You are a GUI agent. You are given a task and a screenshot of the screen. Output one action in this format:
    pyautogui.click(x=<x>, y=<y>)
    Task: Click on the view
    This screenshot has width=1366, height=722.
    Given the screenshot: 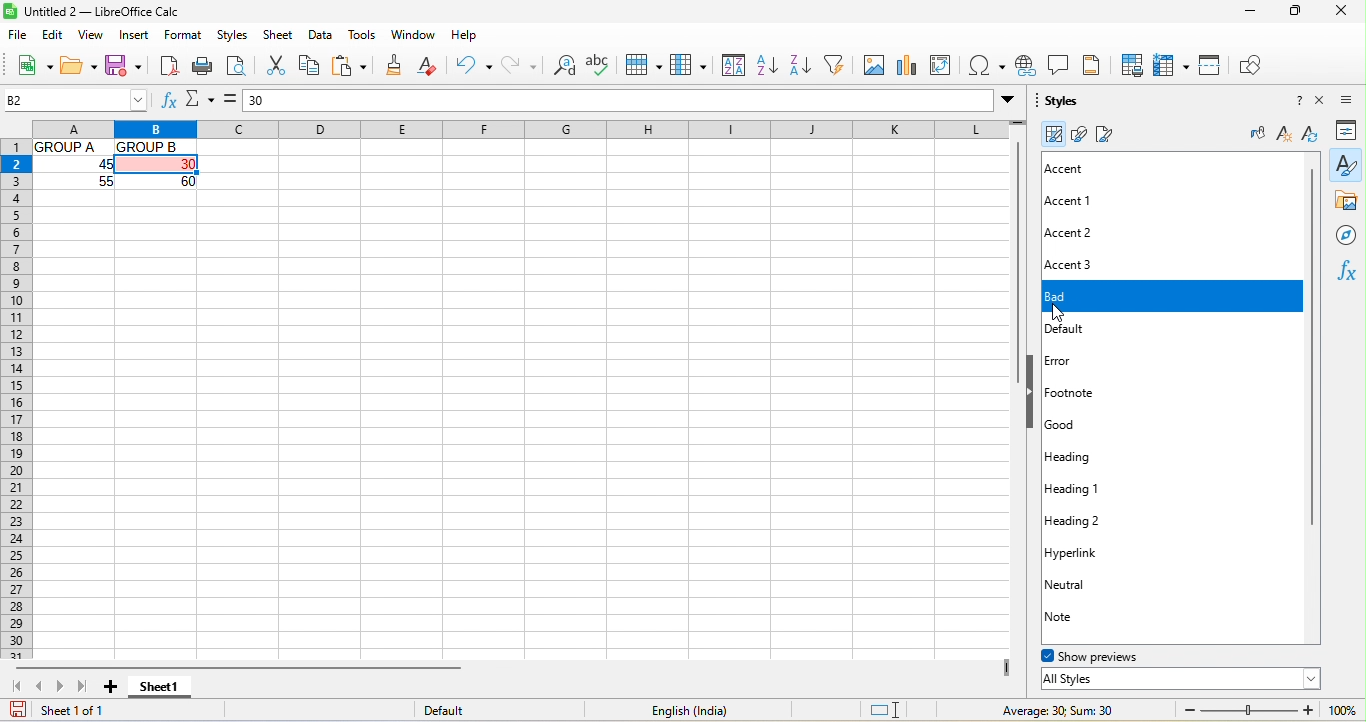 What is the action you would take?
    pyautogui.click(x=94, y=36)
    